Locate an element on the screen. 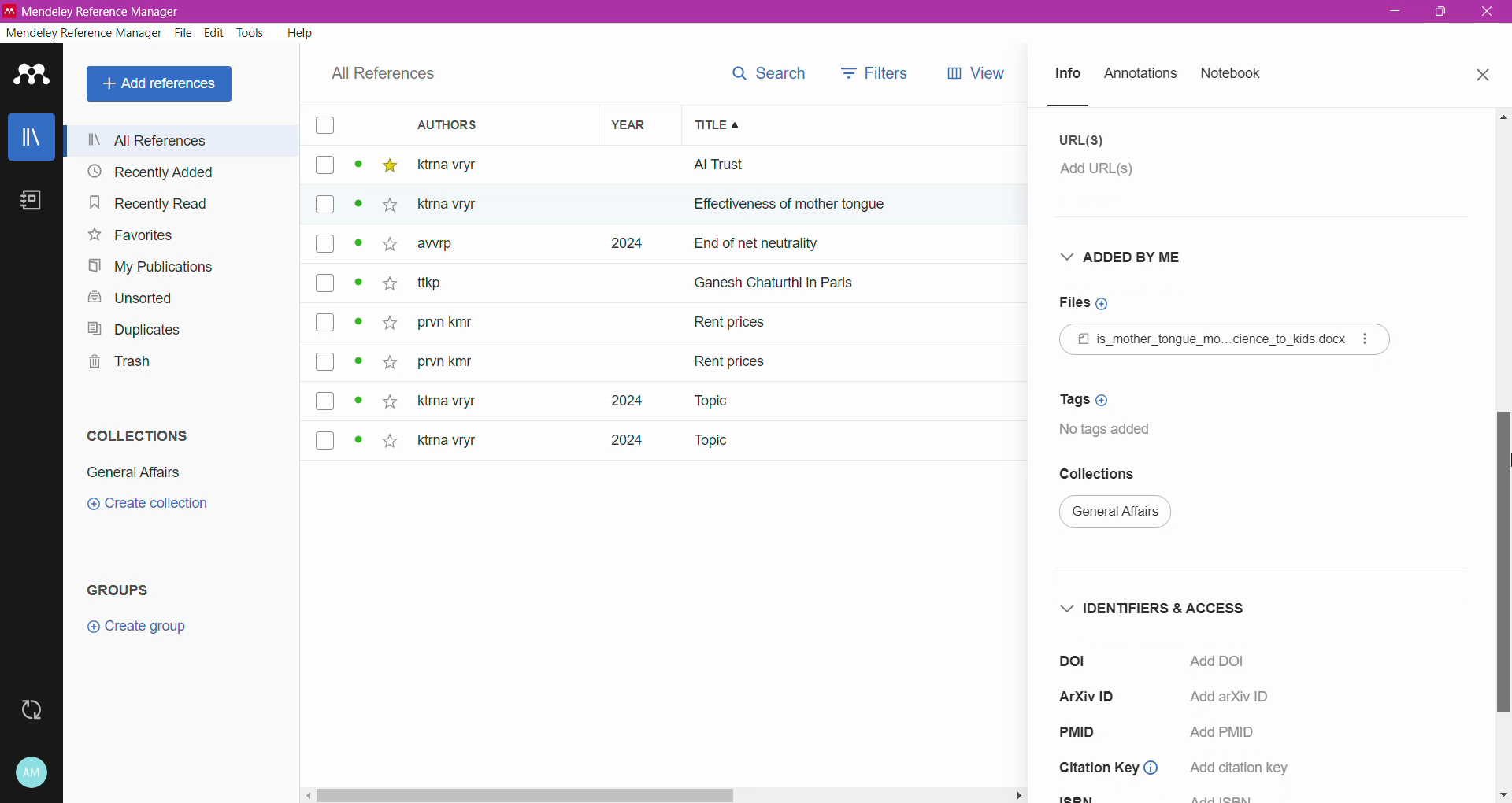 The image size is (1512, 803). add citation key  is located at coordinates (1241, 768).